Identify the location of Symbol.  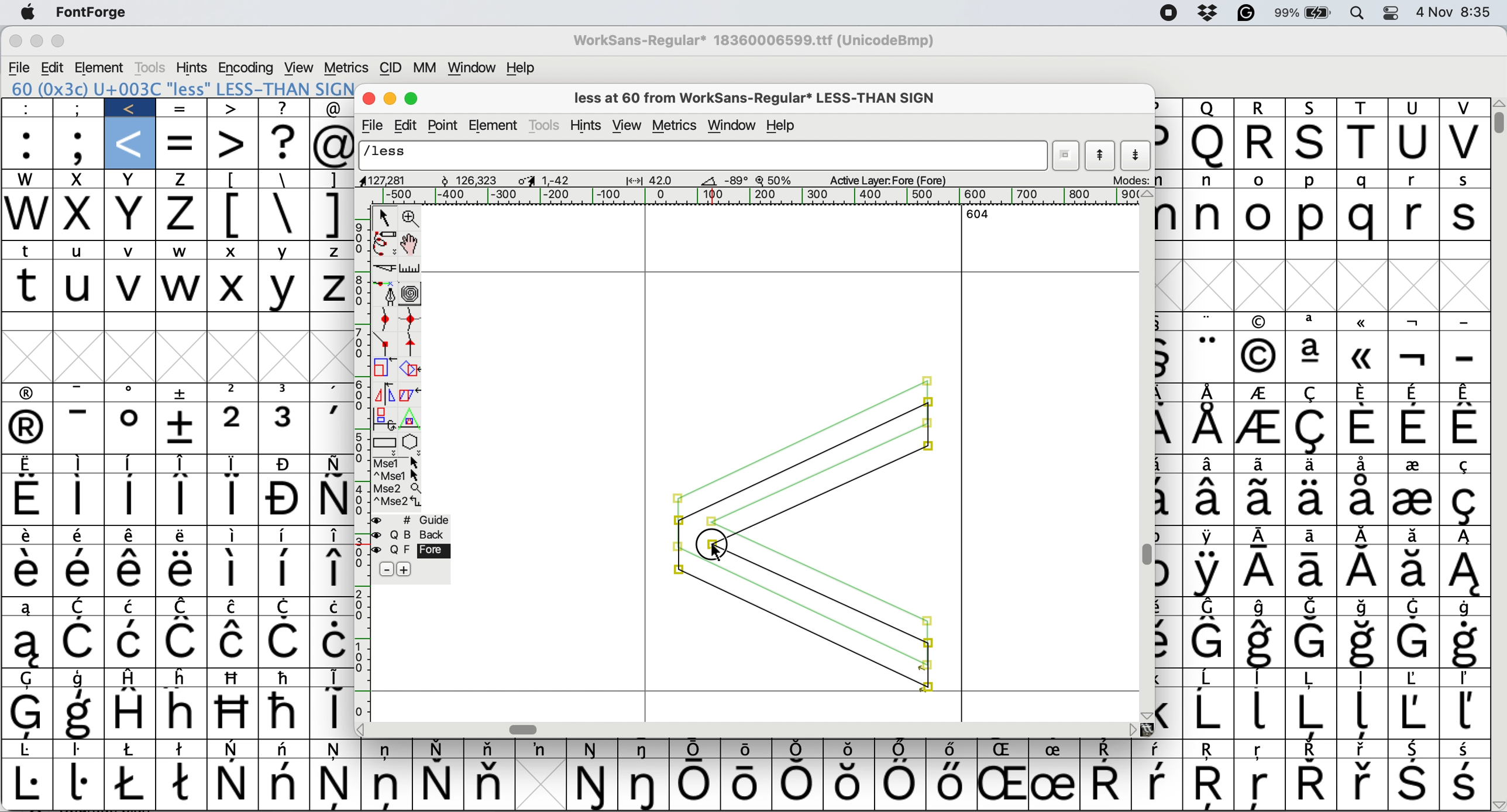
(648, 785).